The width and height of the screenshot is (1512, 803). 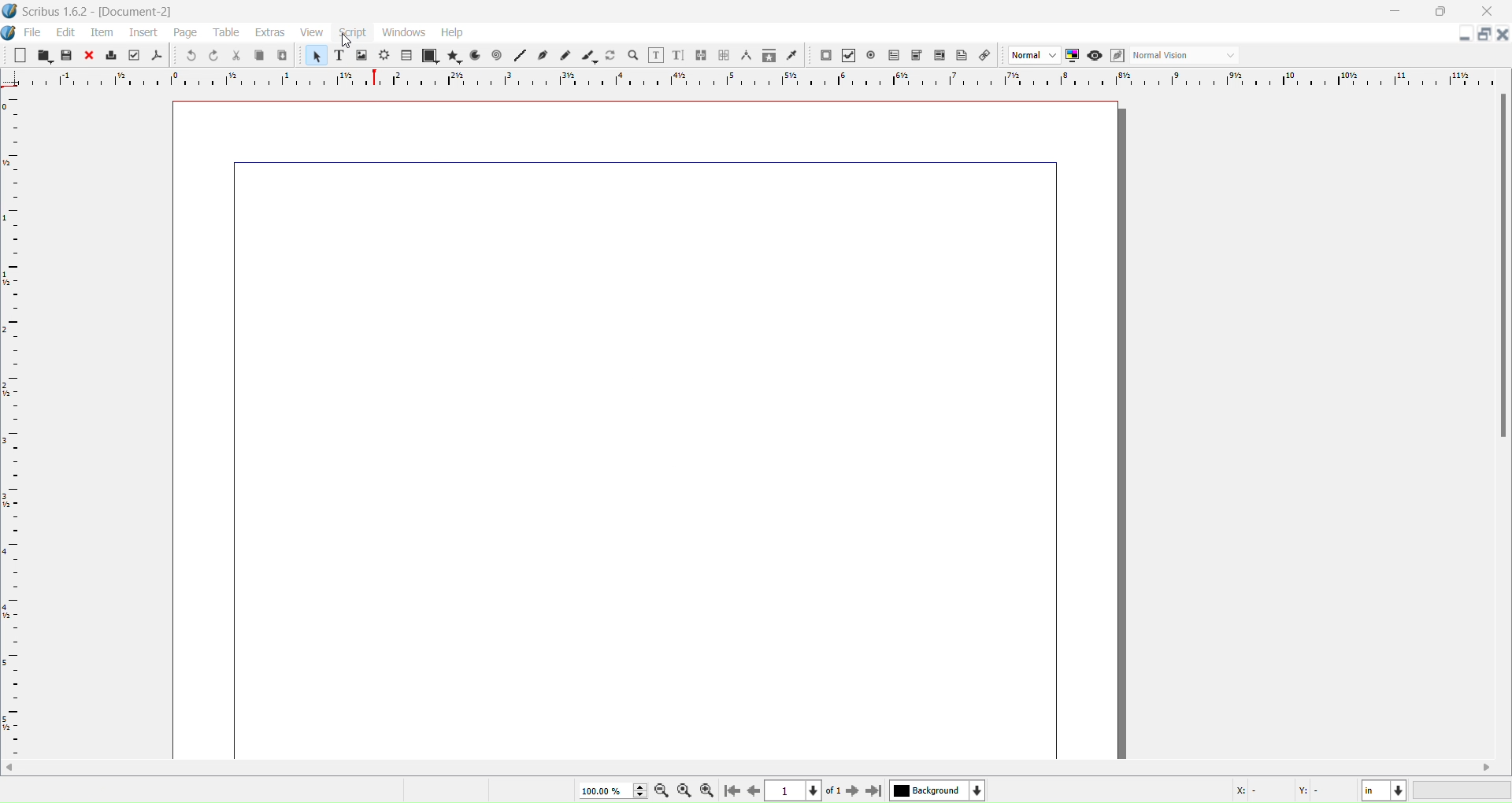 I want to click on Undo, so click(x=190, y=59).